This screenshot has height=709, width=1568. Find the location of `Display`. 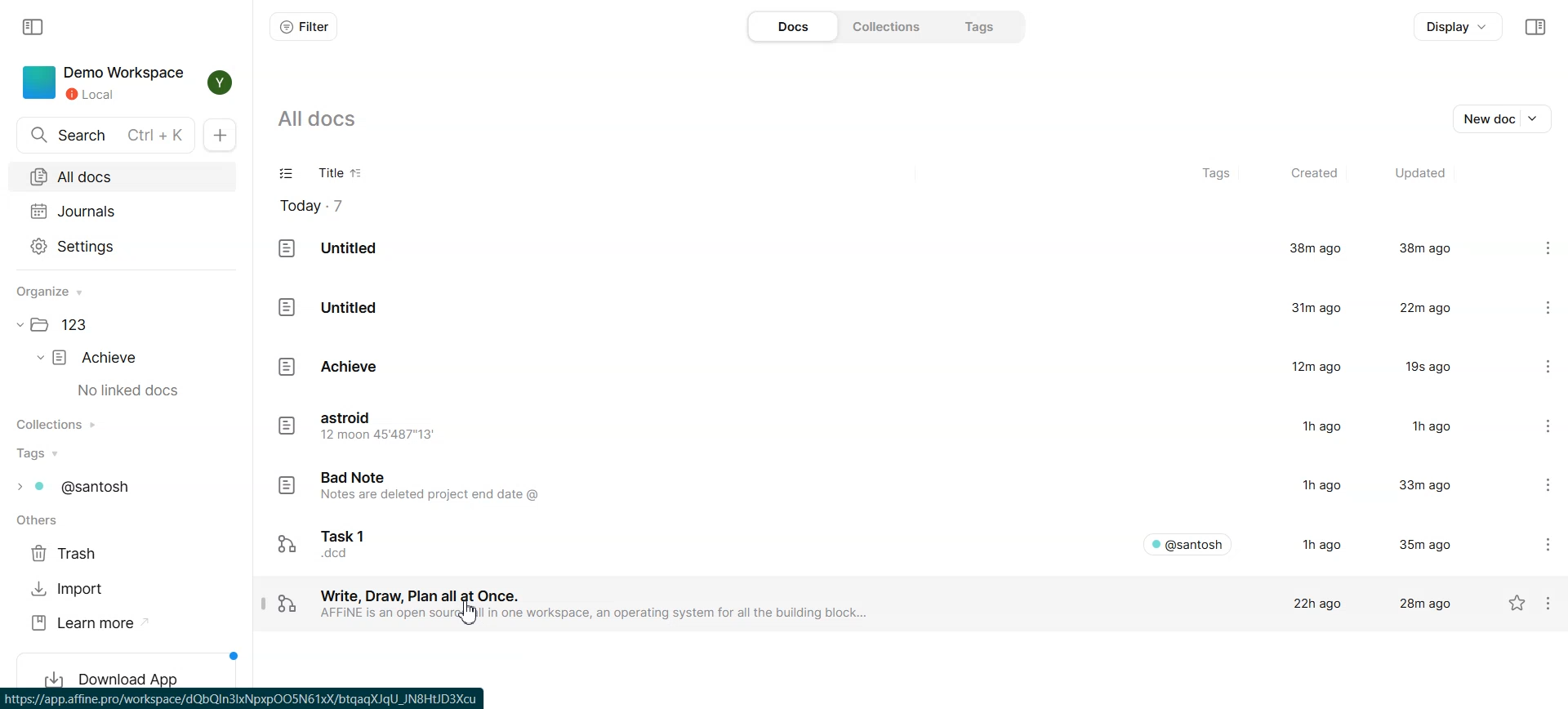

Display is located at coordinates (1459, 27).